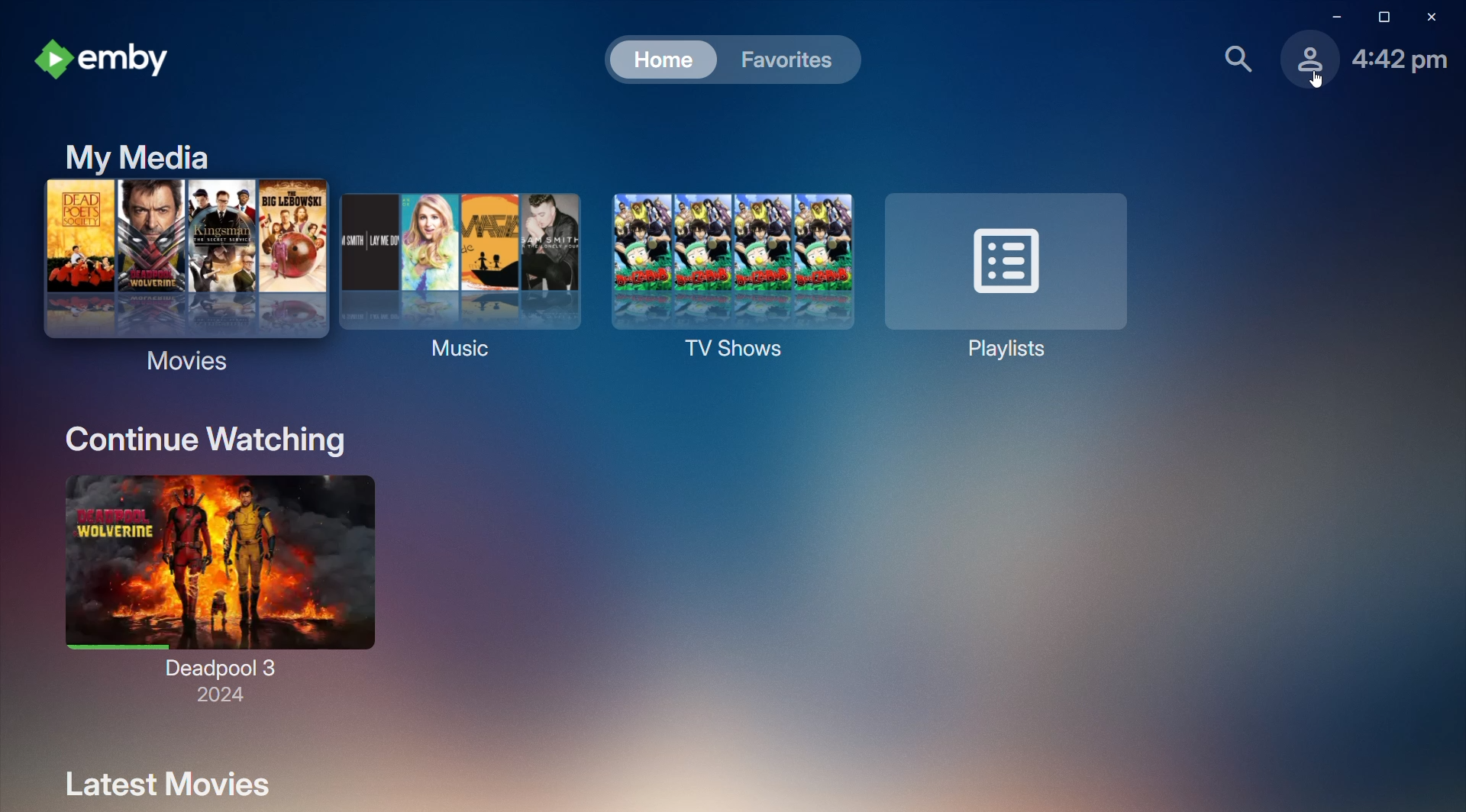 The height and width of the screenshot is (812, 1466). I want to click on Movies, so click(176, 275).